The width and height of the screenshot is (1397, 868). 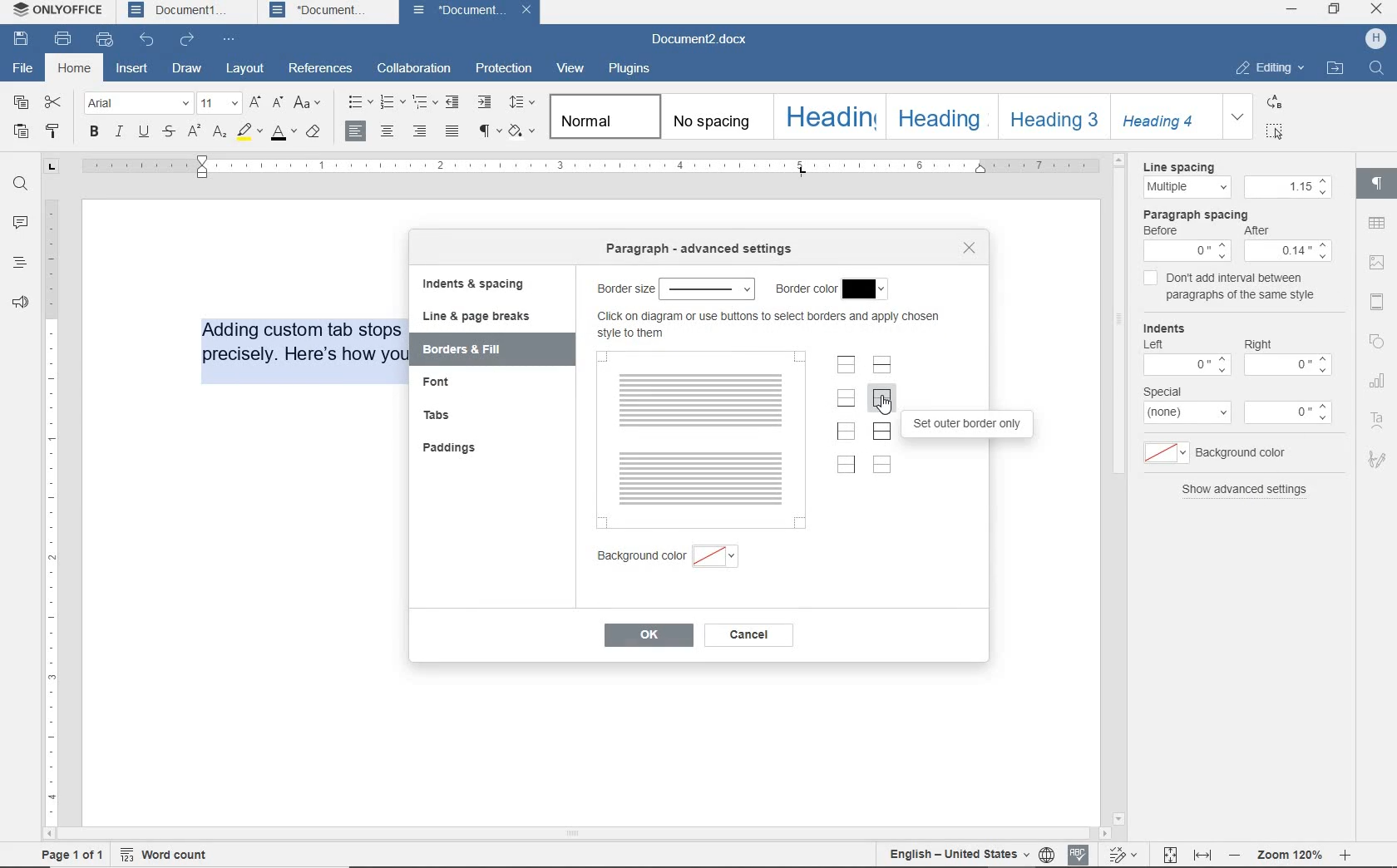 I want to click on align right, so click(x=420, y=131).